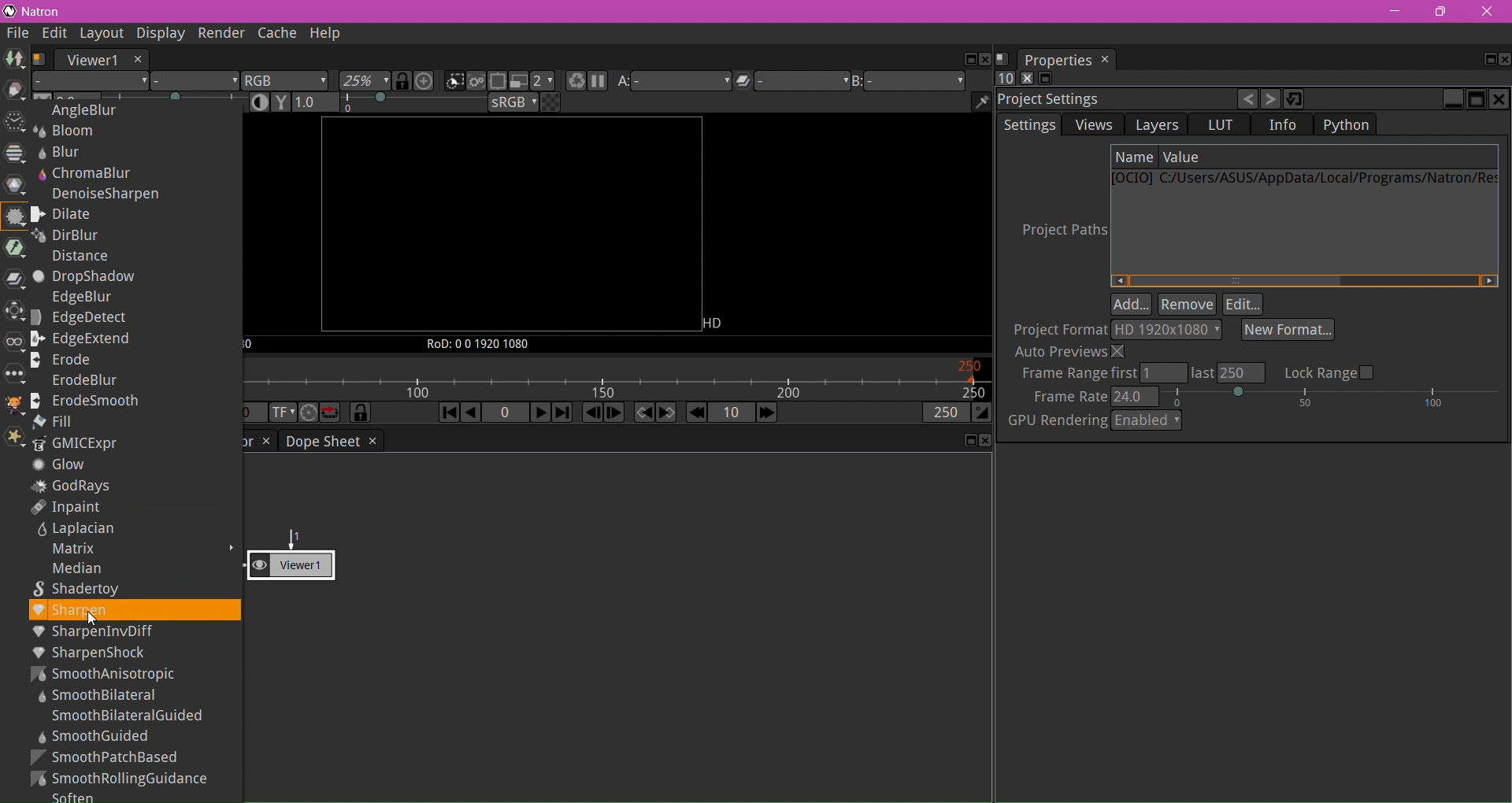  I want to click on Current Project format, so click(1166, 330).